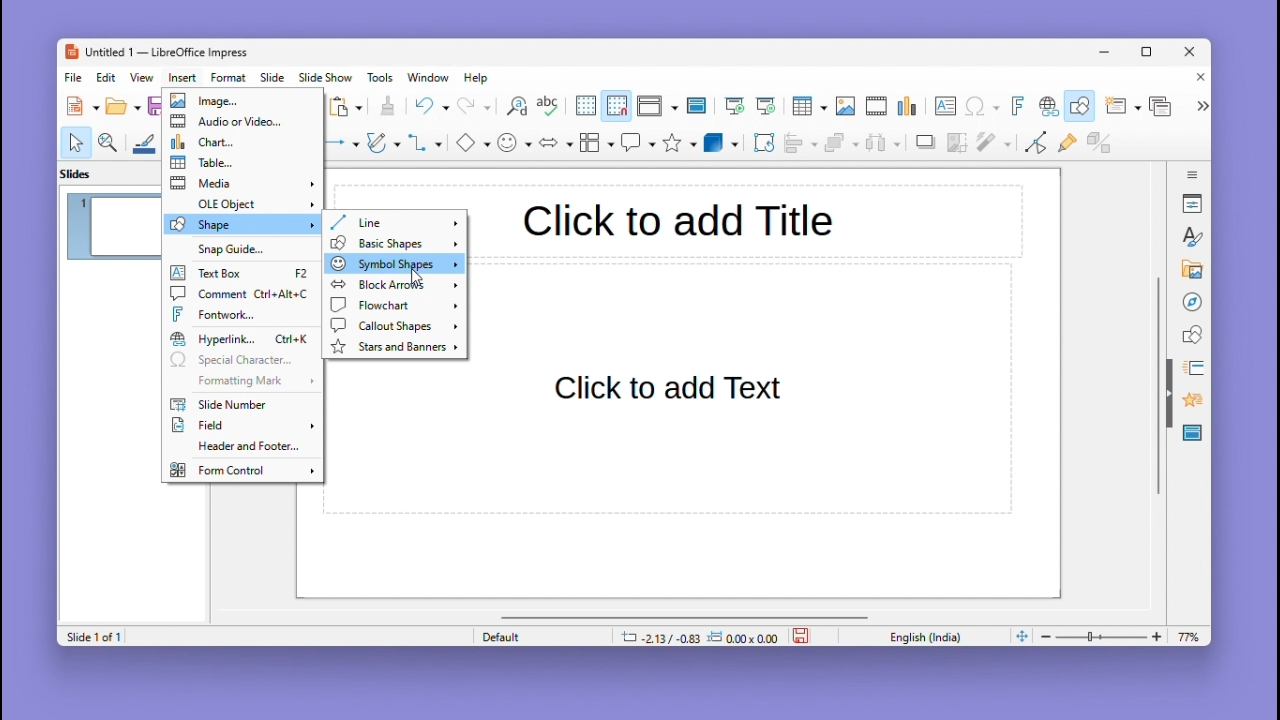 Image resolution: width=1280 pixels, height=720 pixels. What do you see at coordinates (391, 263) in the screenshot?
I see `Symbol shapes` at bounding box center [391, 263].